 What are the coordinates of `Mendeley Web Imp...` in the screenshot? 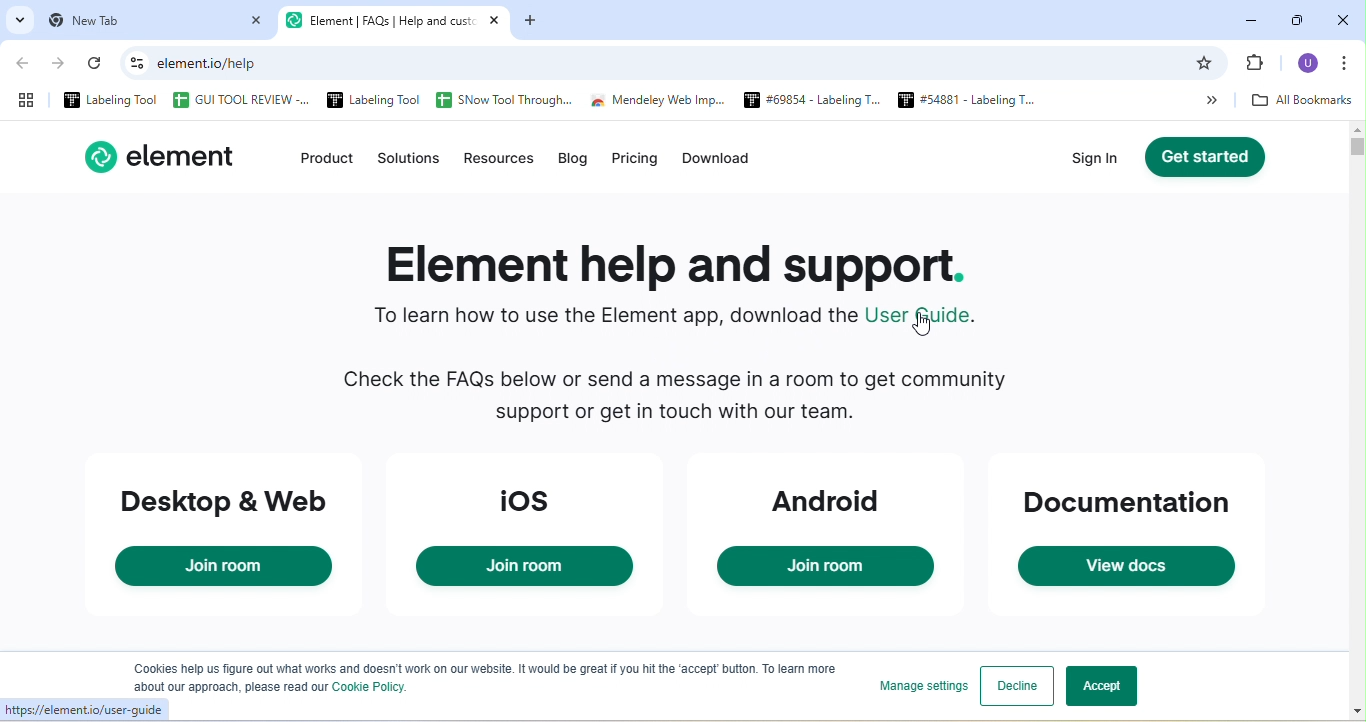 It's located at (659, 102).